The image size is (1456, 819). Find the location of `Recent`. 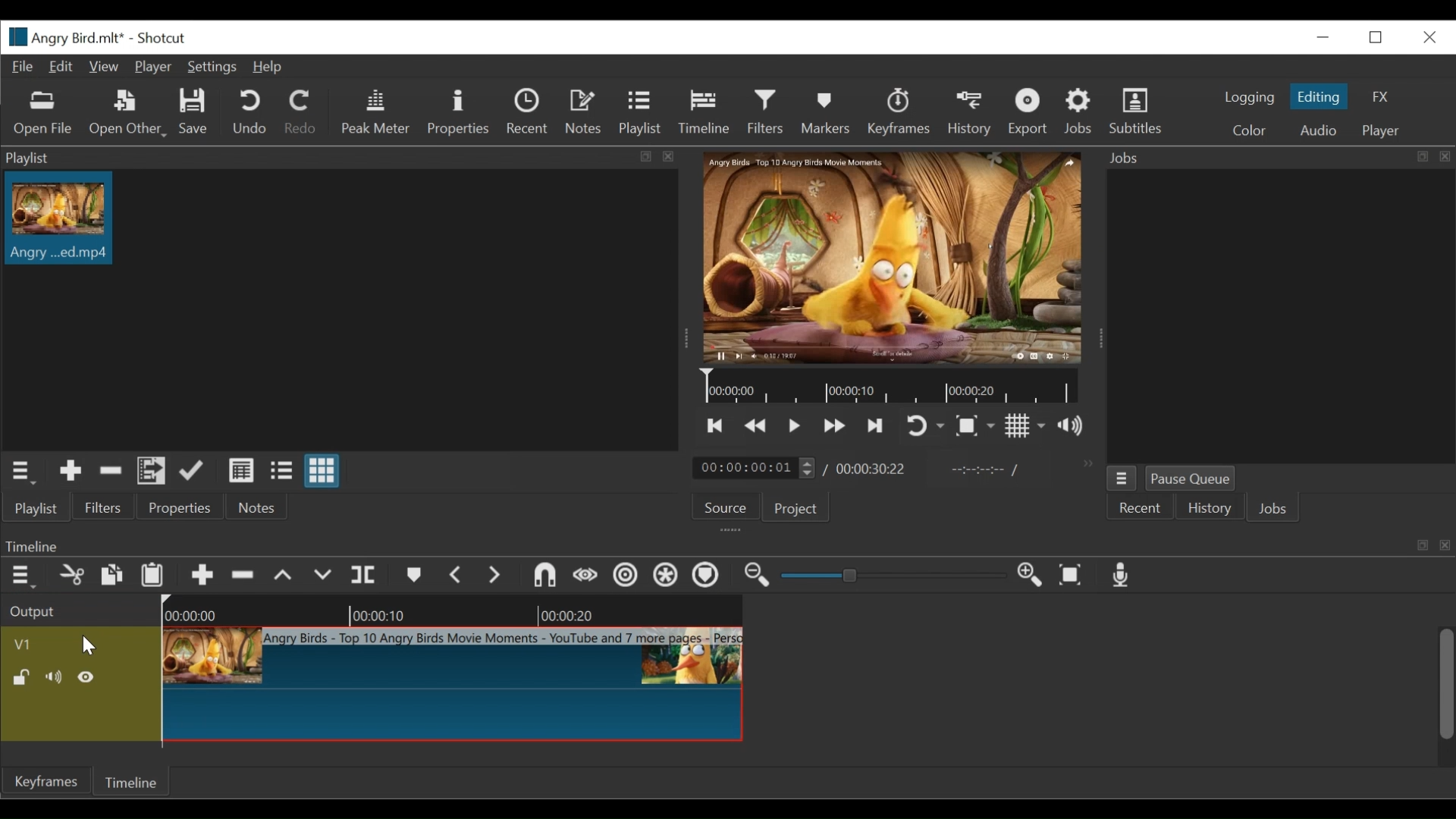

Recent is located at coordinates (529, 113).